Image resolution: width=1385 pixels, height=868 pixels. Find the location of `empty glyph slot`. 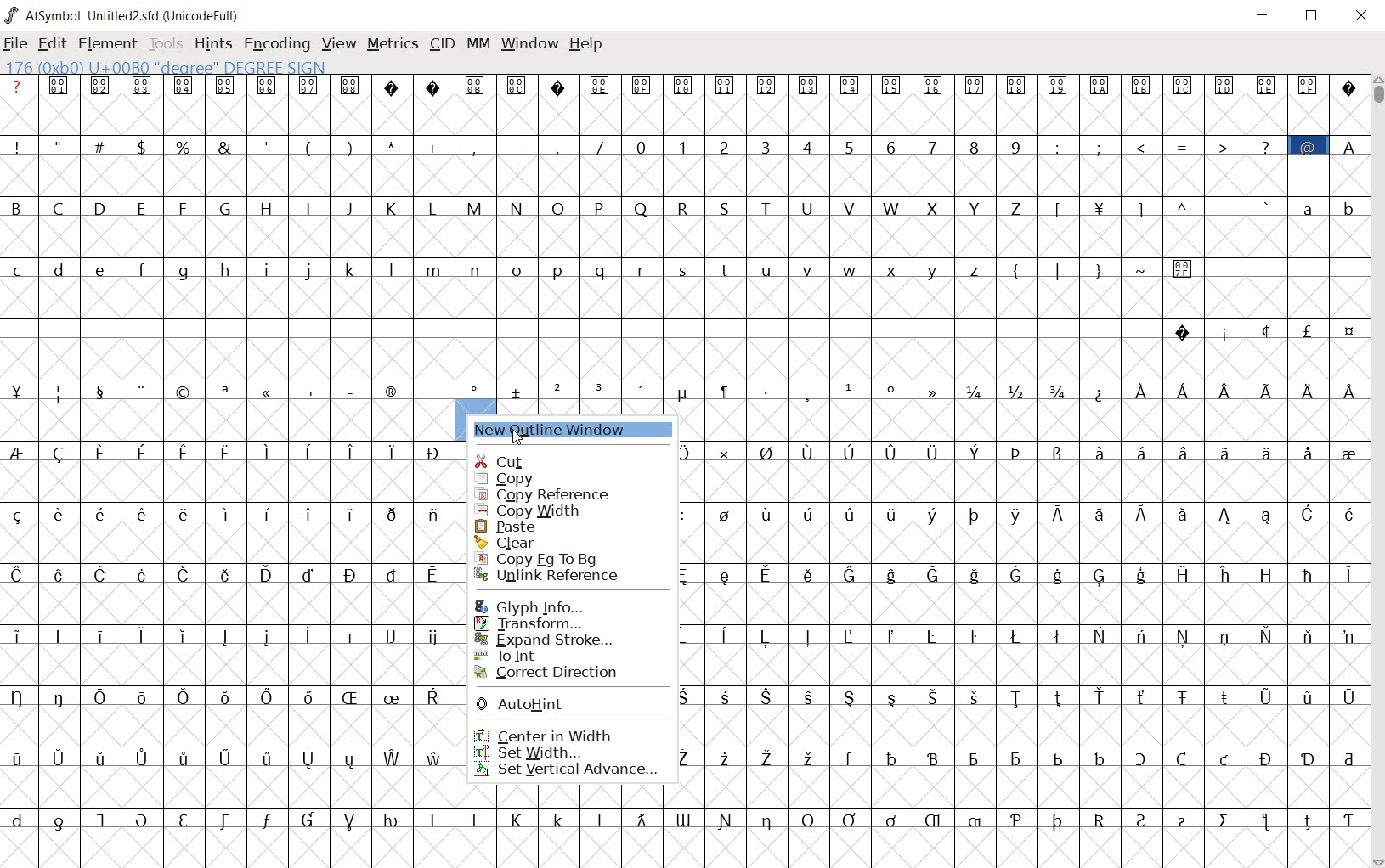

empty glyph slot is located at coordinates (229, 786).